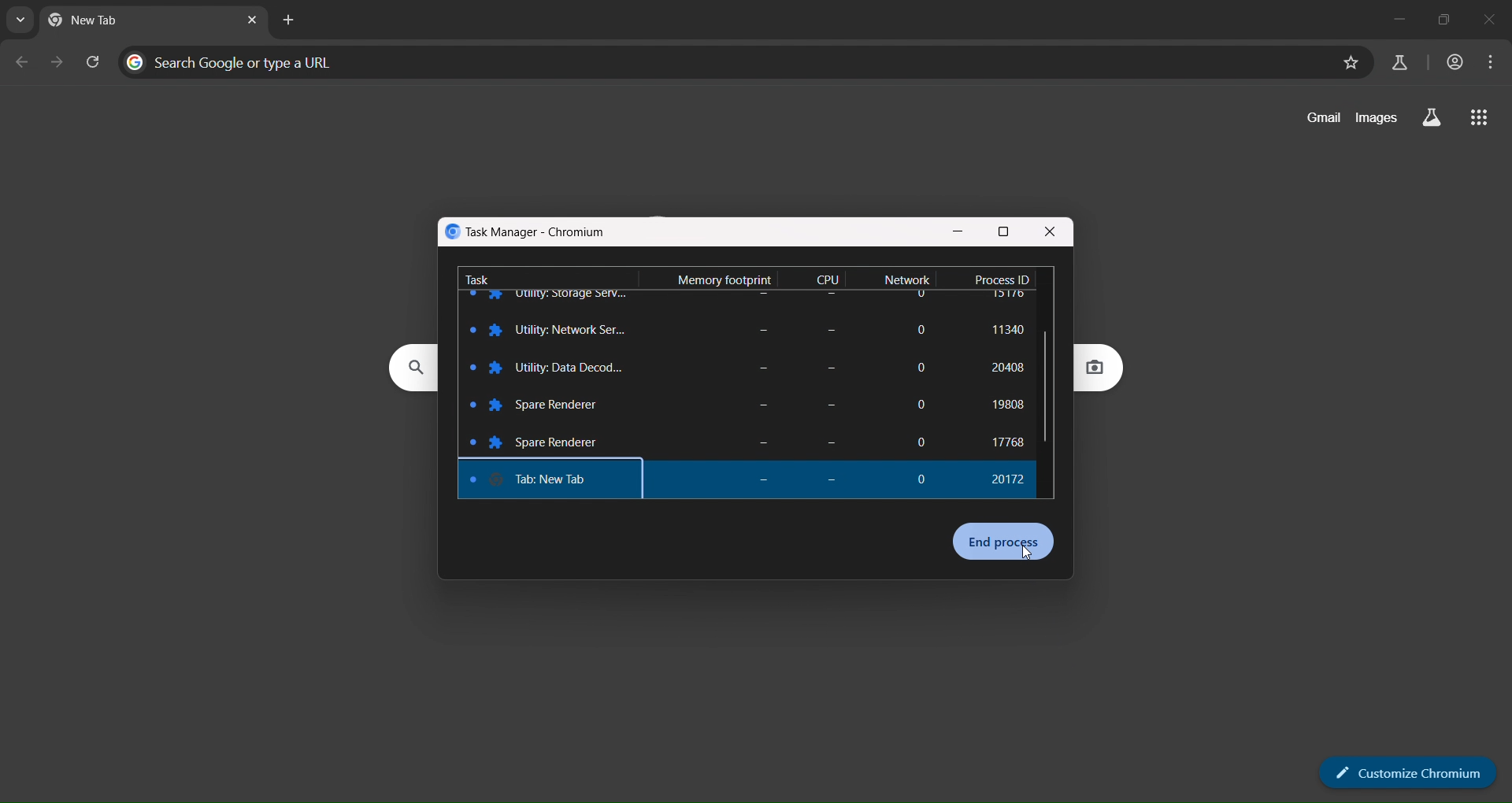  Describe the element at coordinates (1492, 65) in the screenshot. I see `menu` at that location.